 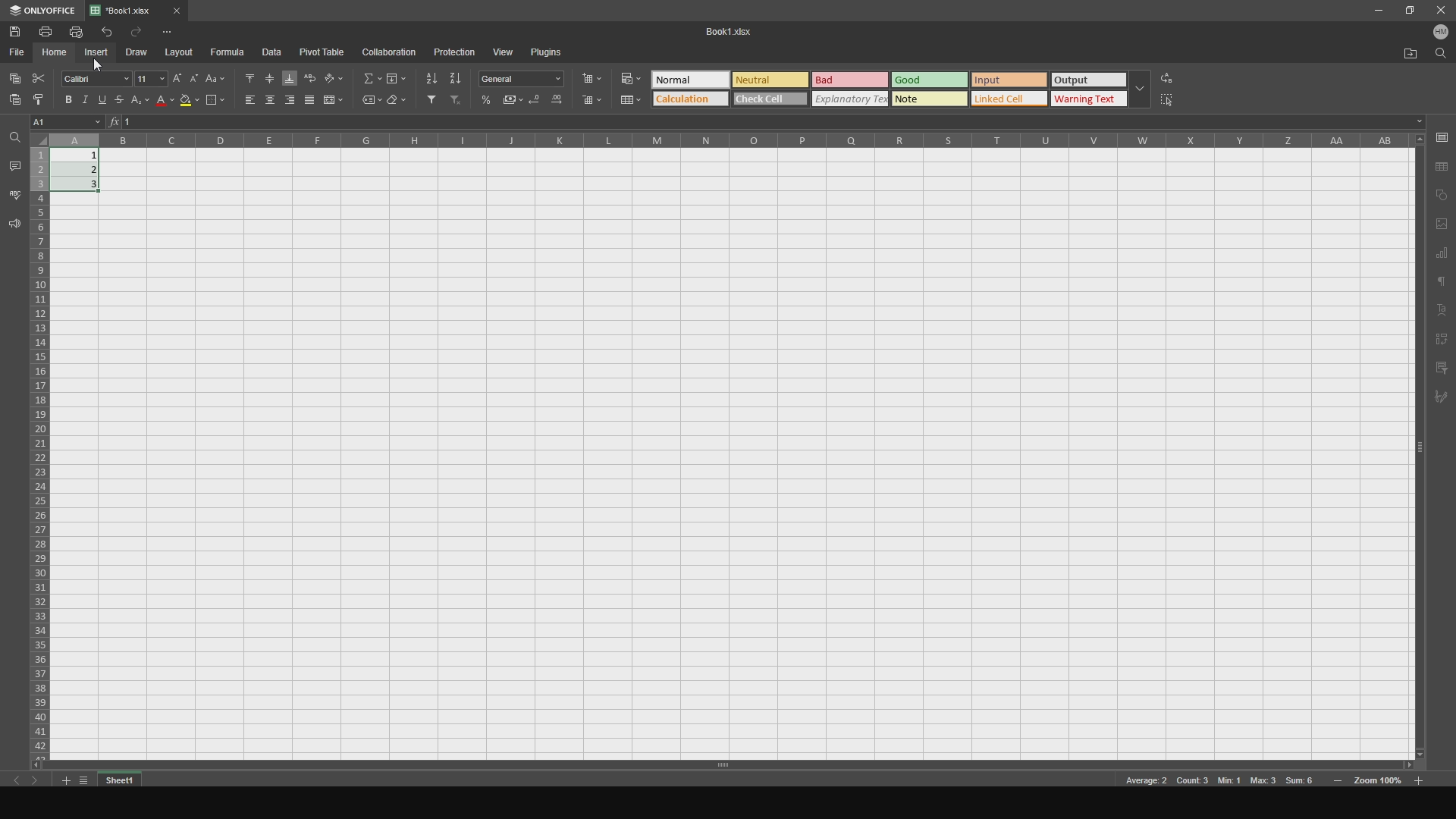 I want to click on zoom out, so click(x=1420, y=779).